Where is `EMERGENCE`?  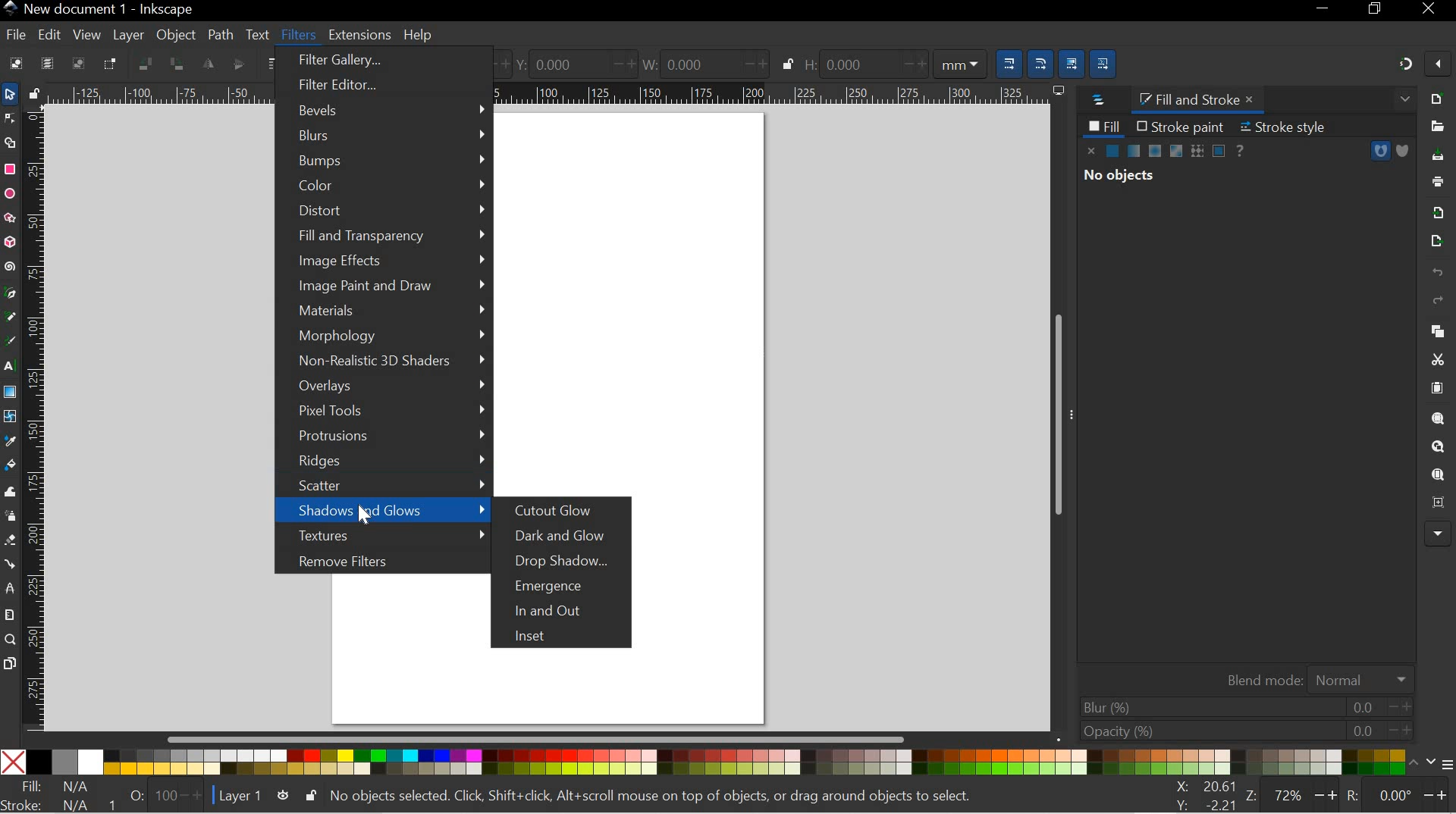
EMERGENCE is located at coordinates (569, 584).